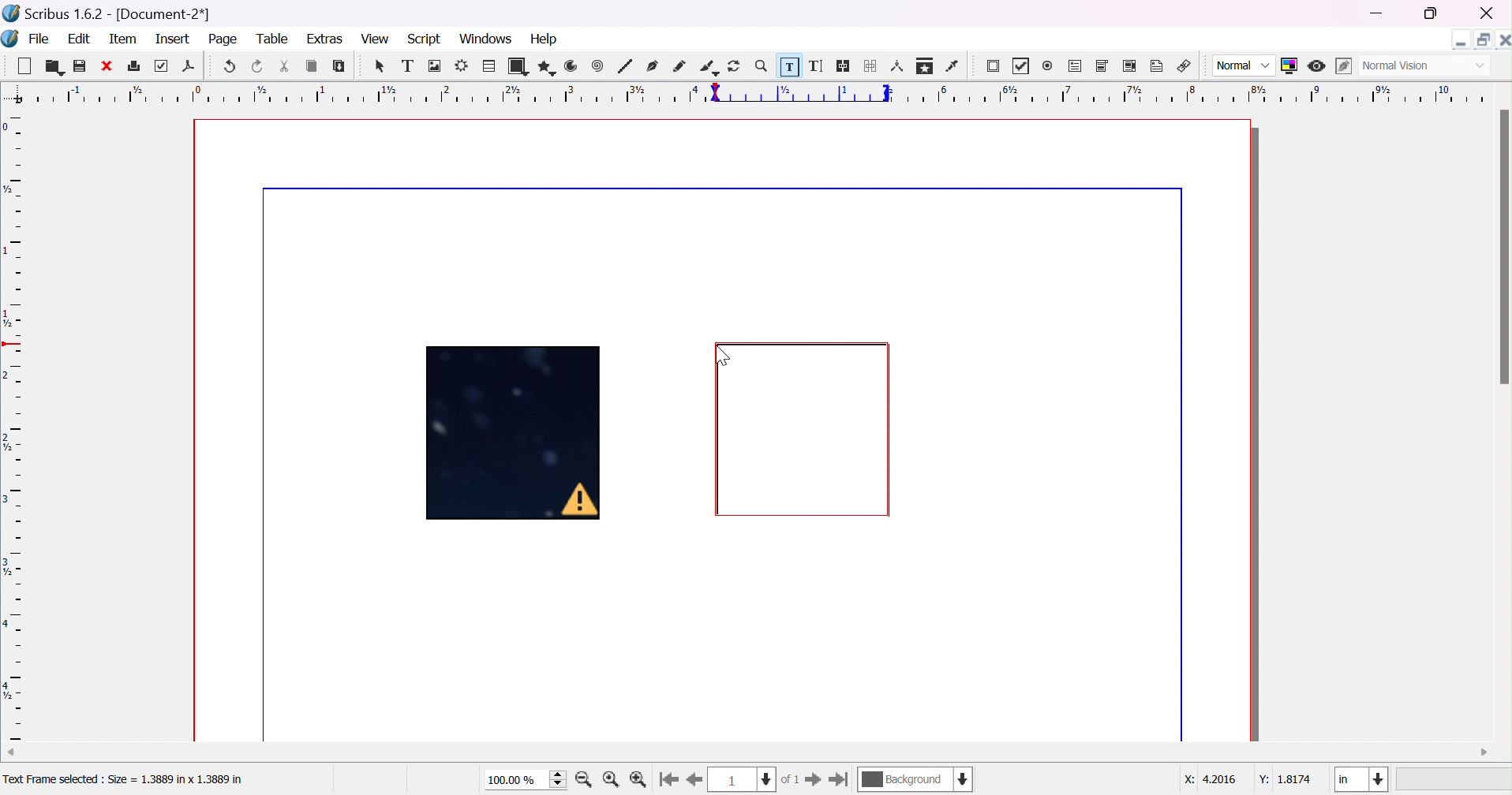  What do you see at coordinates (1244, 66) in the screenshot?
I see `normal` at bounding box center [1244, 66].